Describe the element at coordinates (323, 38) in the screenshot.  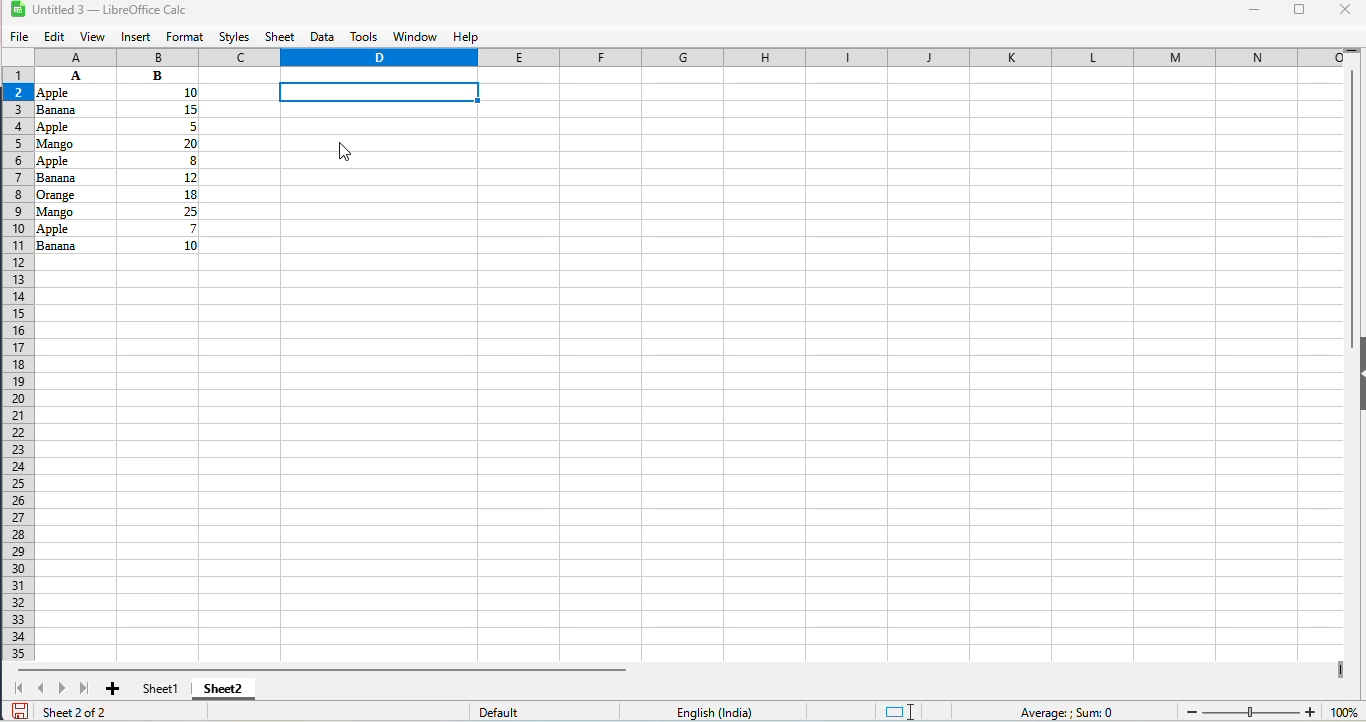
I see `data` at that location.